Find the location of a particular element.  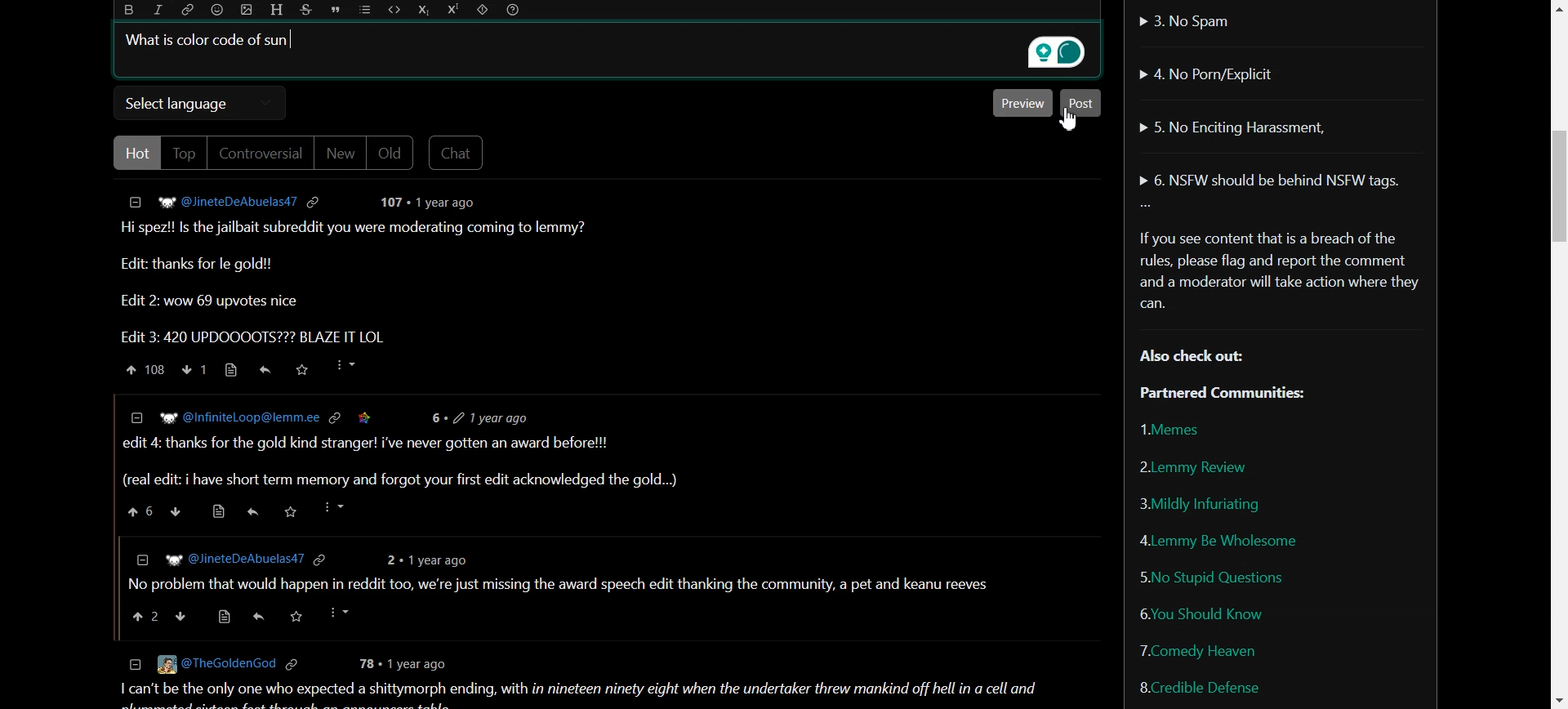

source is located at coordinates (219, 511).